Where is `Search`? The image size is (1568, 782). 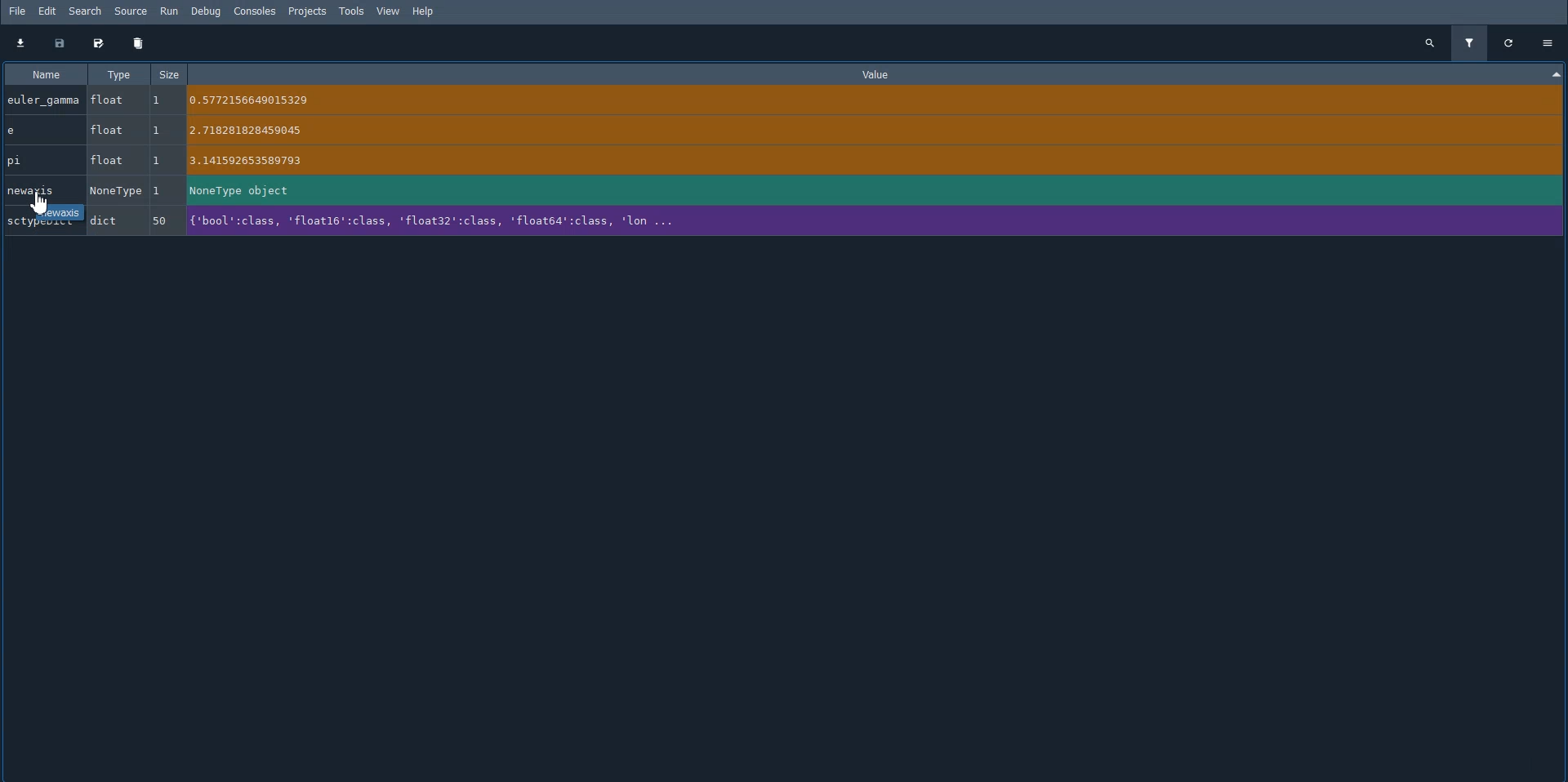 Search is located at coordinates (86, 11).